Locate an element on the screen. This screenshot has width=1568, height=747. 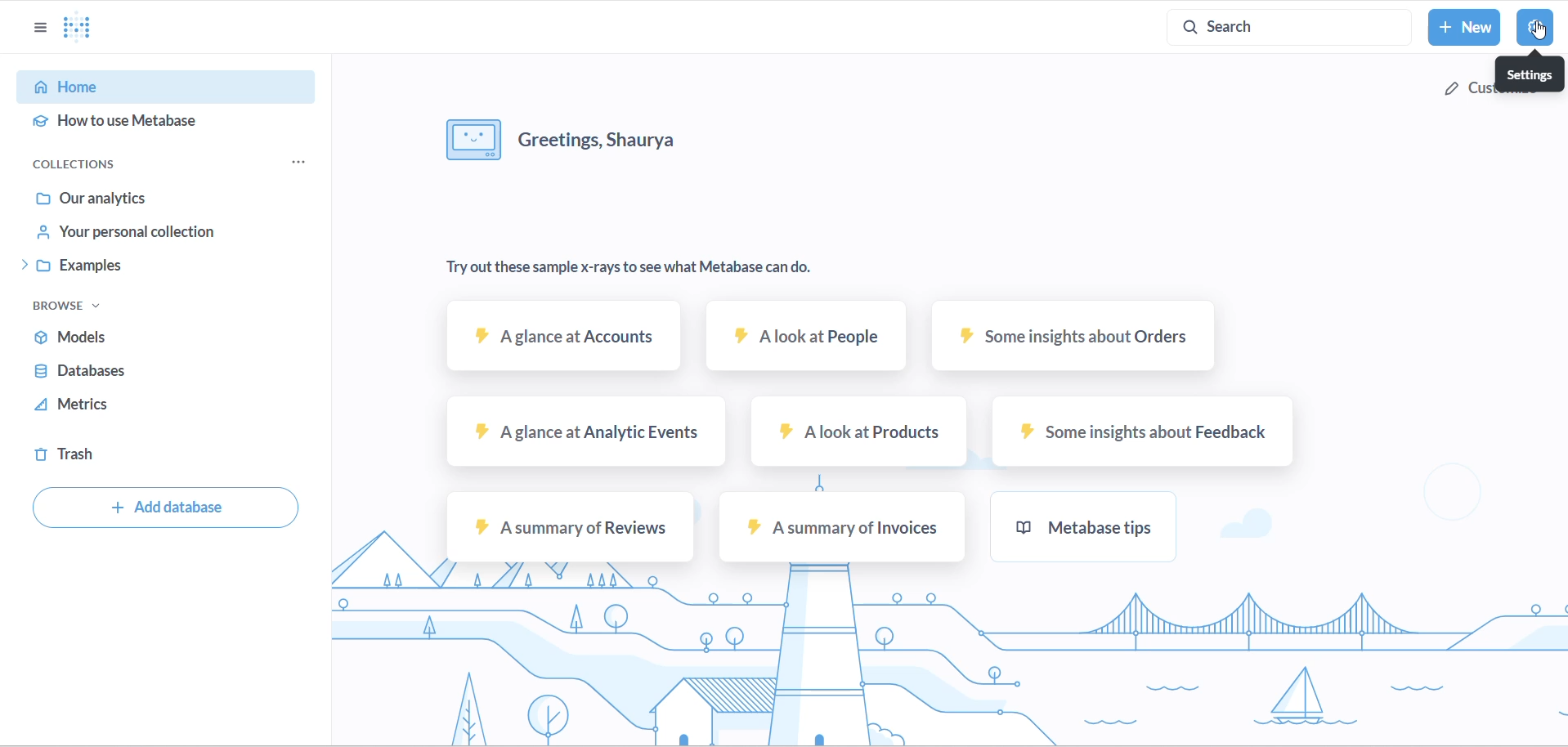
A look at people sample is located at coordinates (803, 339).